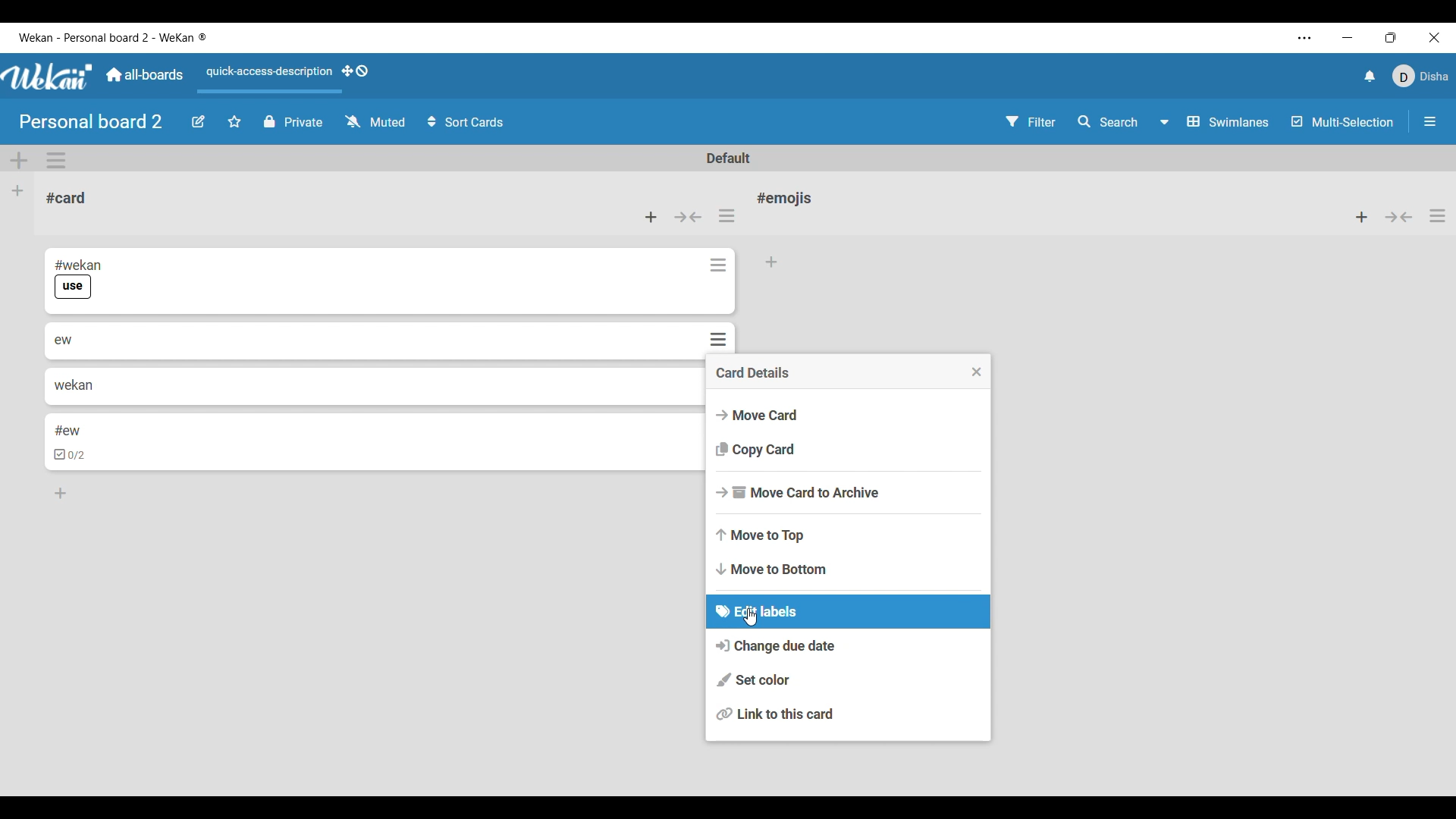  What do you see at coordinates (56, 160) in the screenshot?
I see `Swimlane actions` at bounding box center [56, 160].